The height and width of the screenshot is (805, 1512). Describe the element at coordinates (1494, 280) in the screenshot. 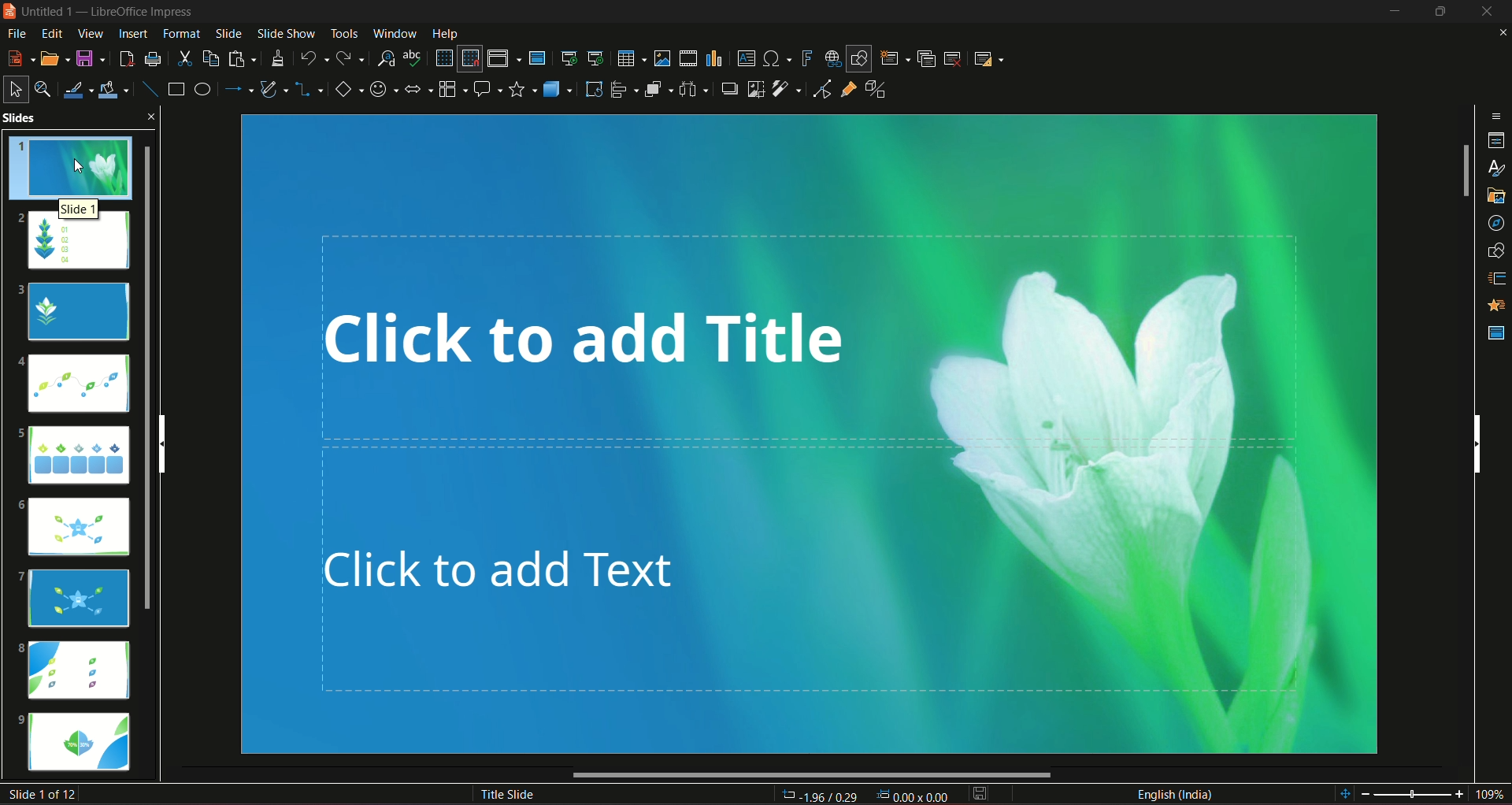

I see `slide transition` at that location.